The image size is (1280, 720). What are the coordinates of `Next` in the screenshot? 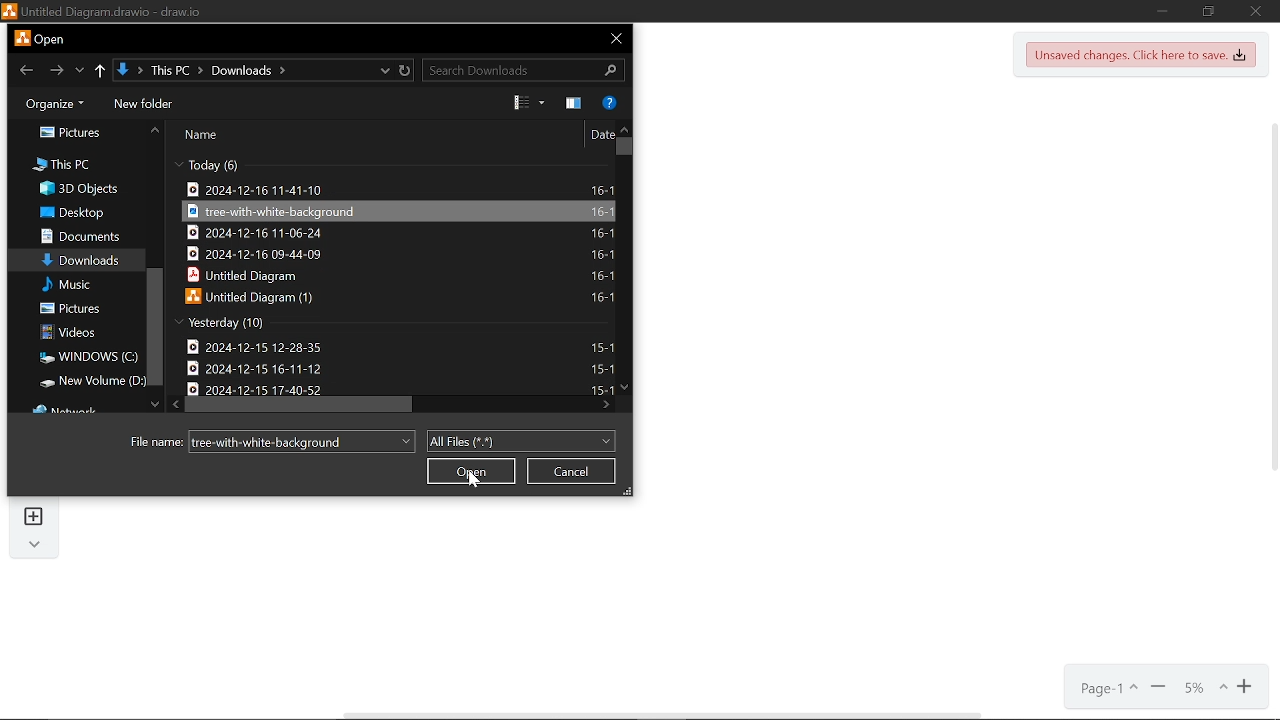 It's located at (54, 71).